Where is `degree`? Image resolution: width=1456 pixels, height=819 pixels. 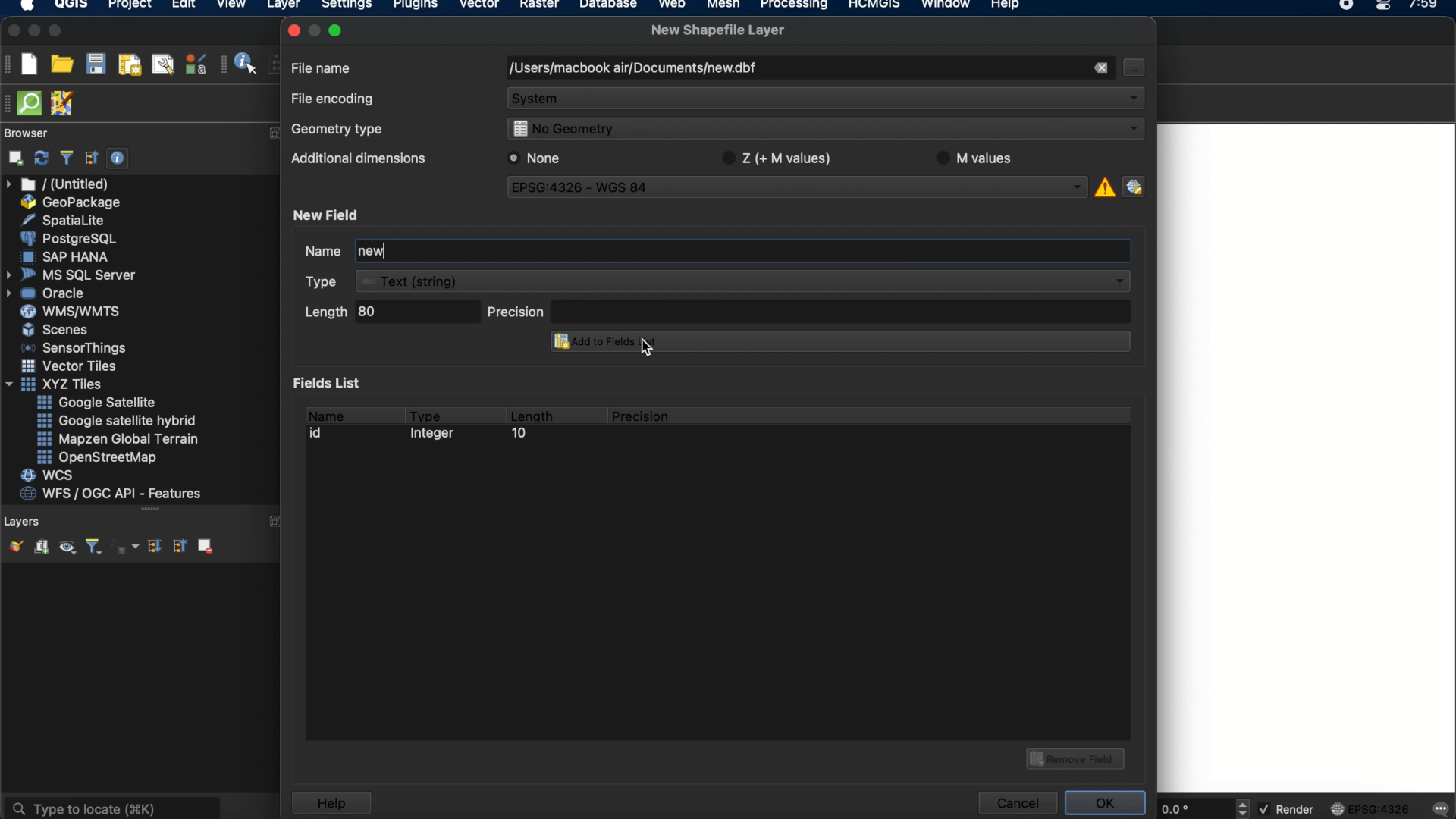
degree is located at coordinates (1192, 808).